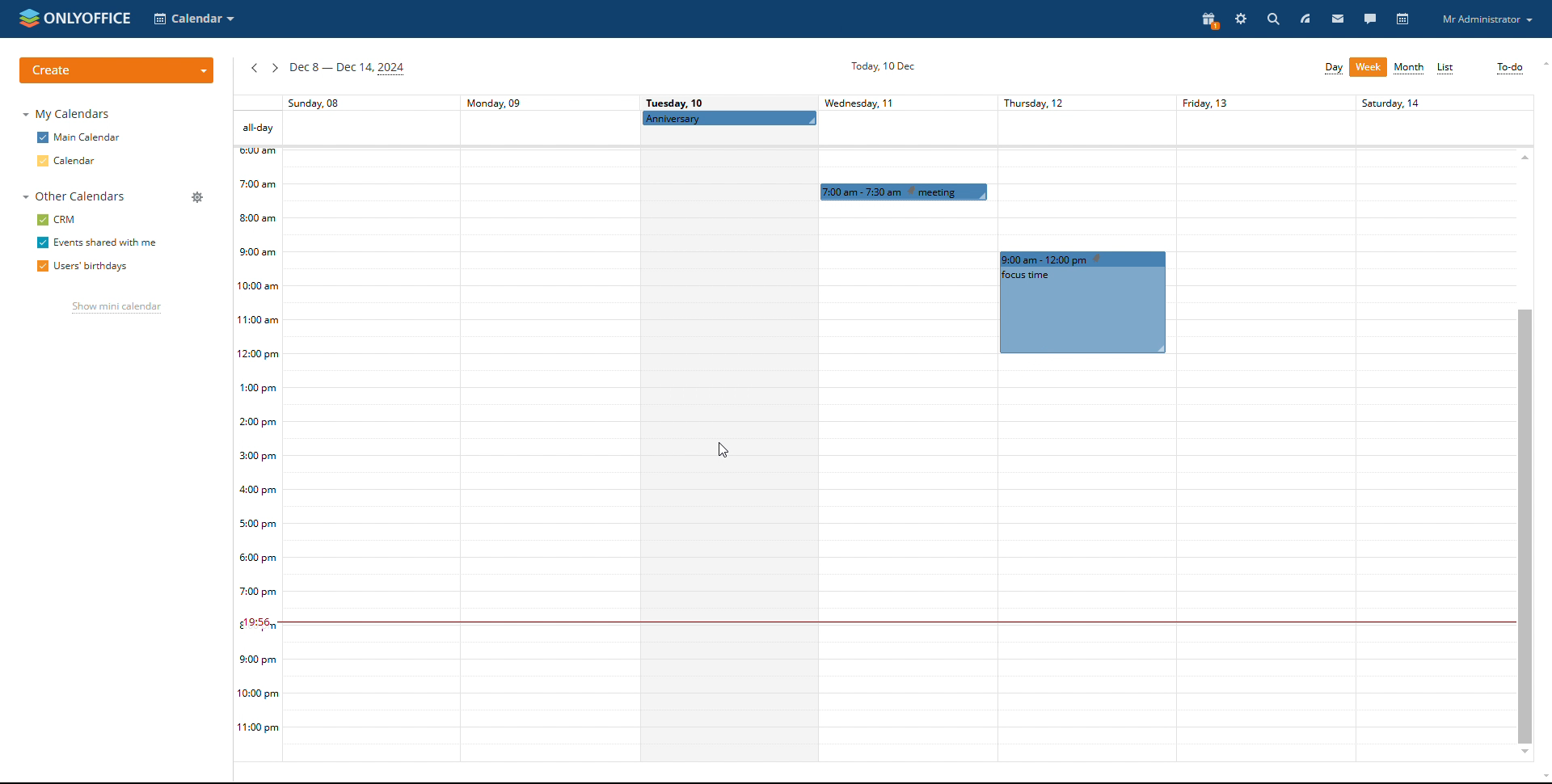  I want to click on day view, so click(1333, 68).